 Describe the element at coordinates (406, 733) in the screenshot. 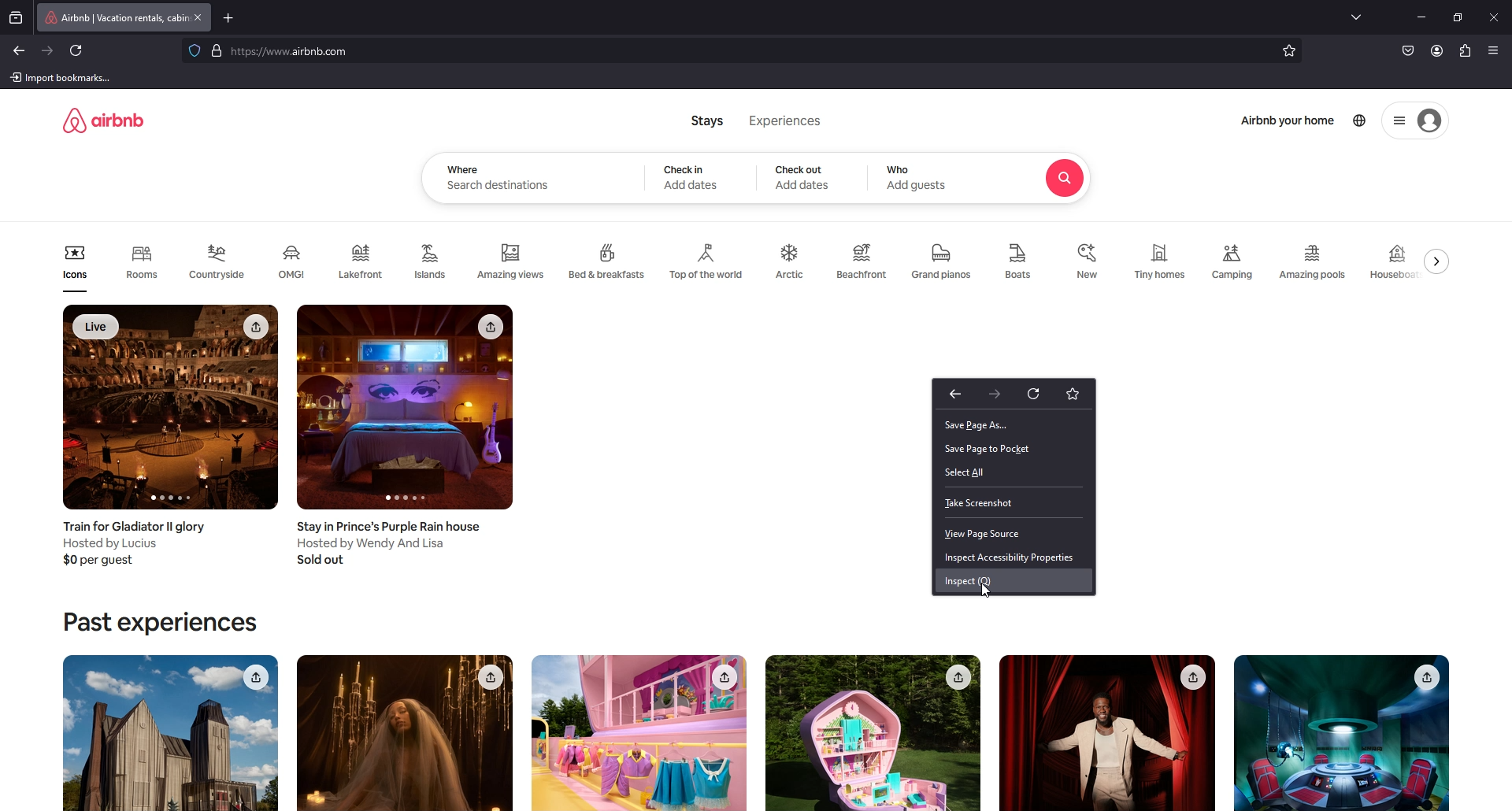

I see `image` at that location.